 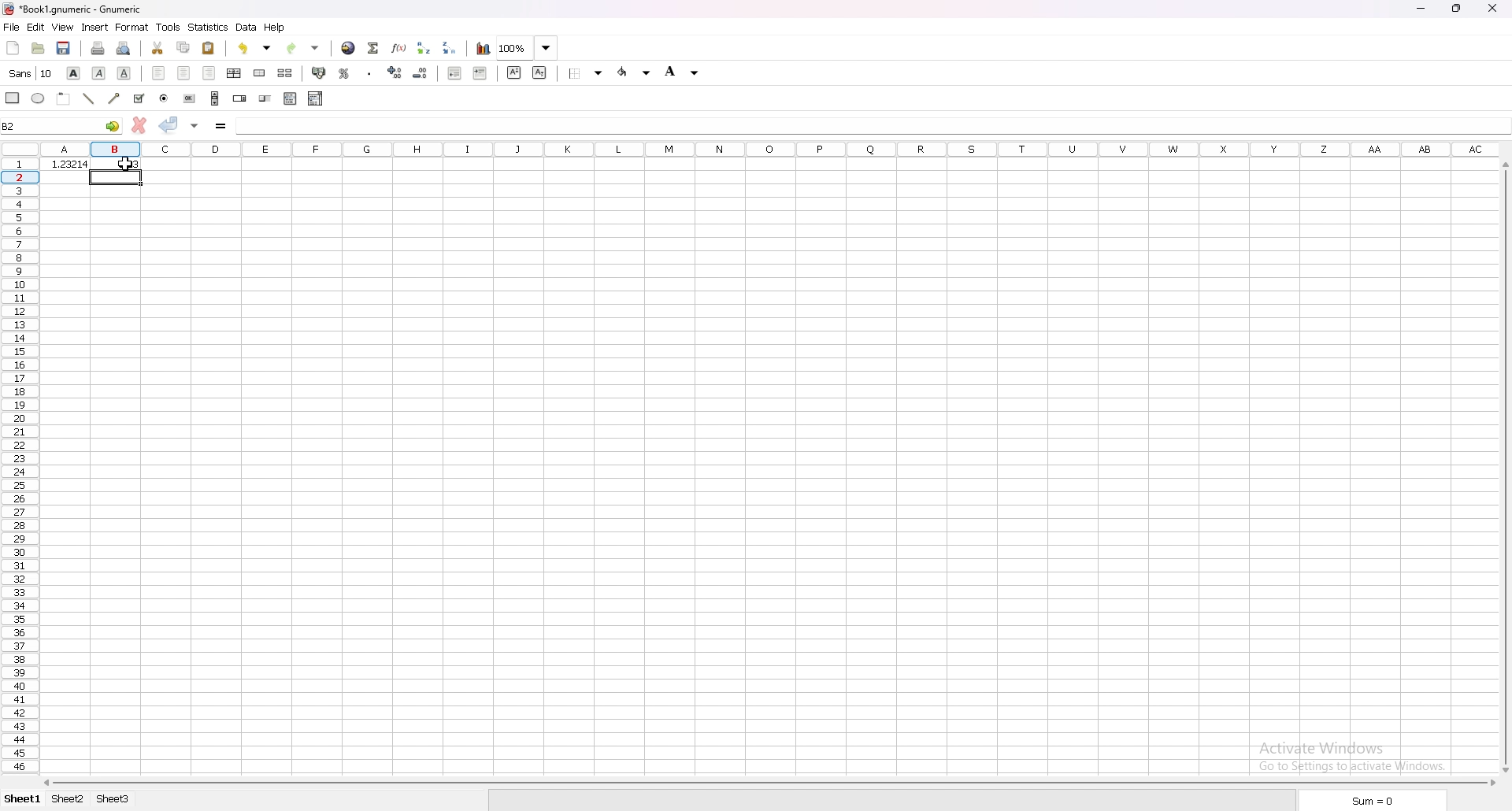 I want to click on zoom, so click(x=524, y=49).